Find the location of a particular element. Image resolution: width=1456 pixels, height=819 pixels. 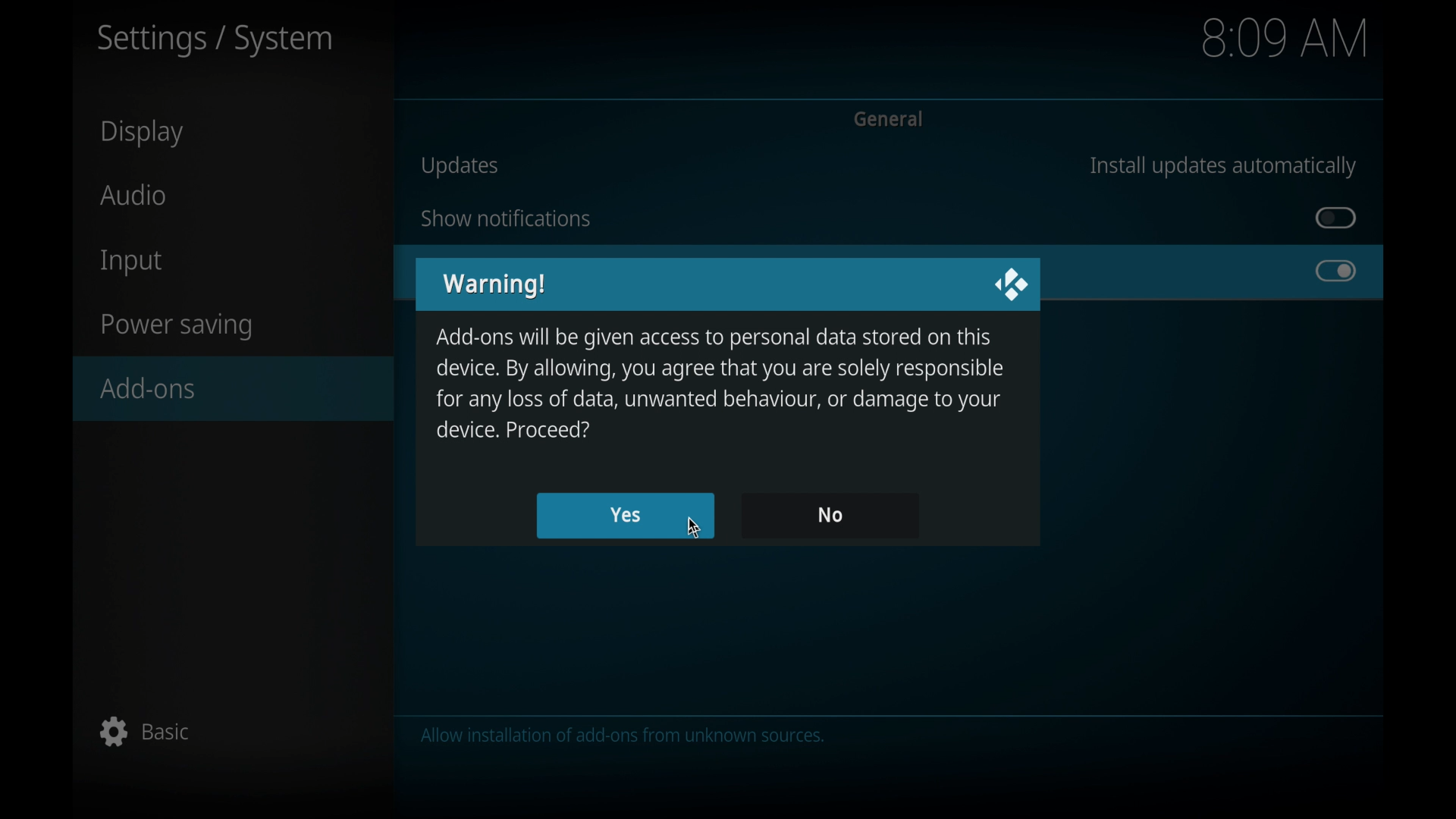

Personal data access confirmation dialogue box is located at coordinates (720, 384).